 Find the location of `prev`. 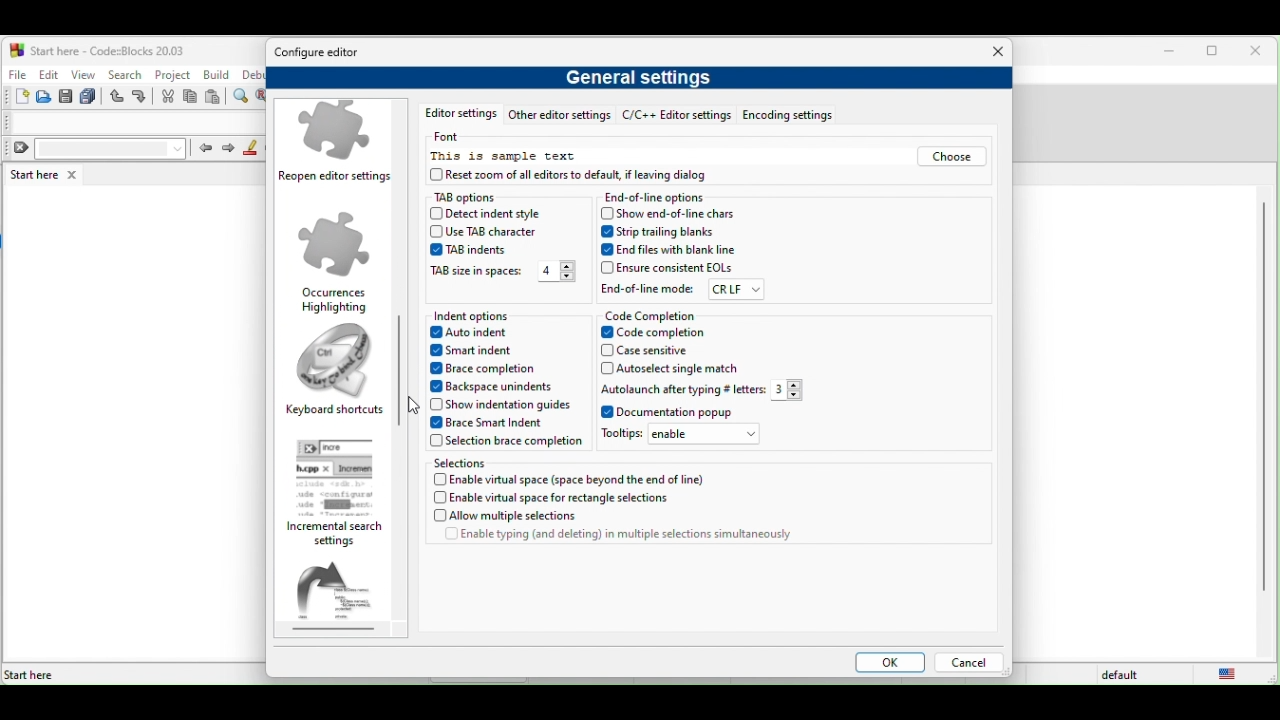

prev is located at coordinates (204, 147).